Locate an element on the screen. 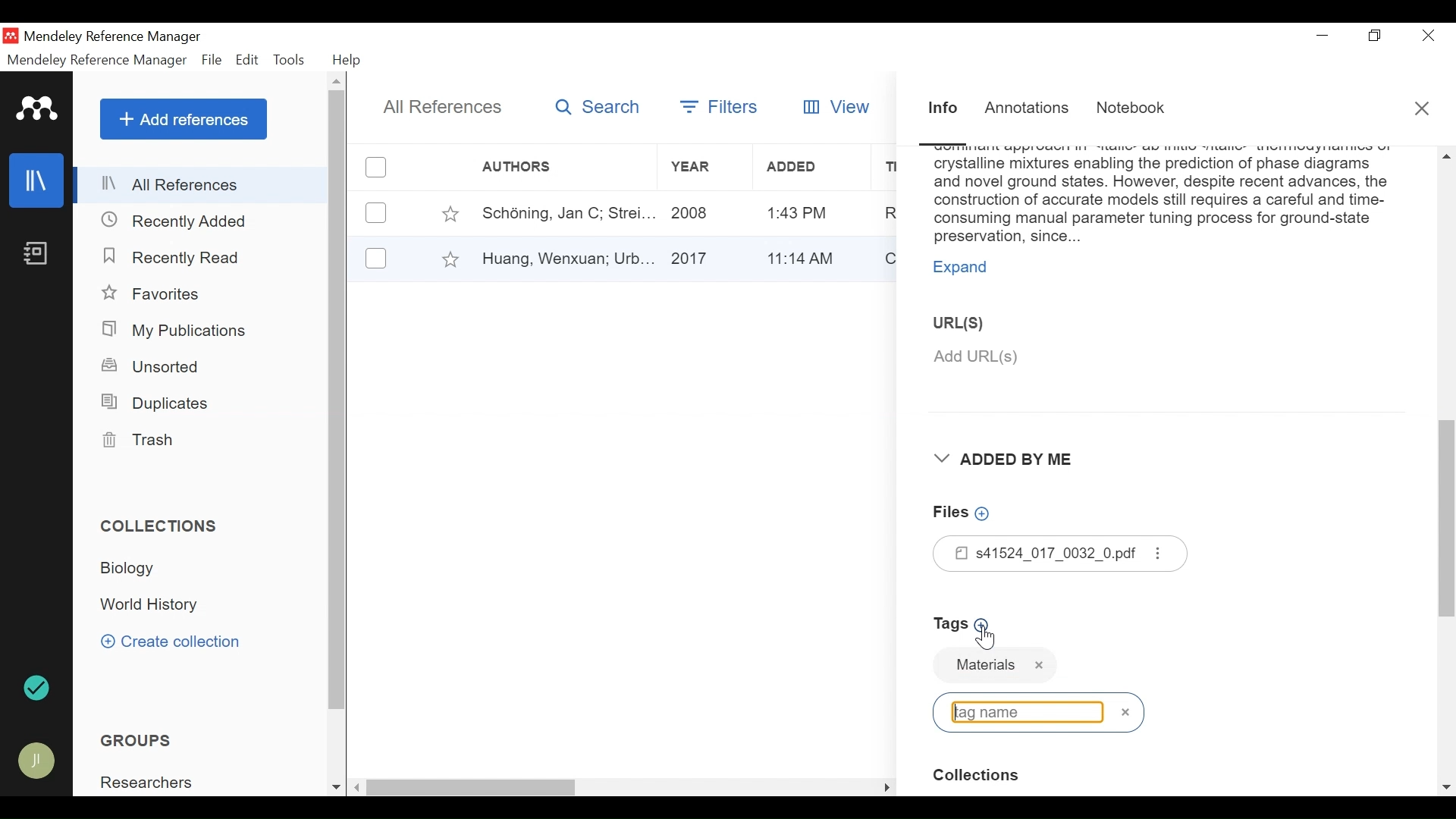  Author is located at coordinates (542, 167).